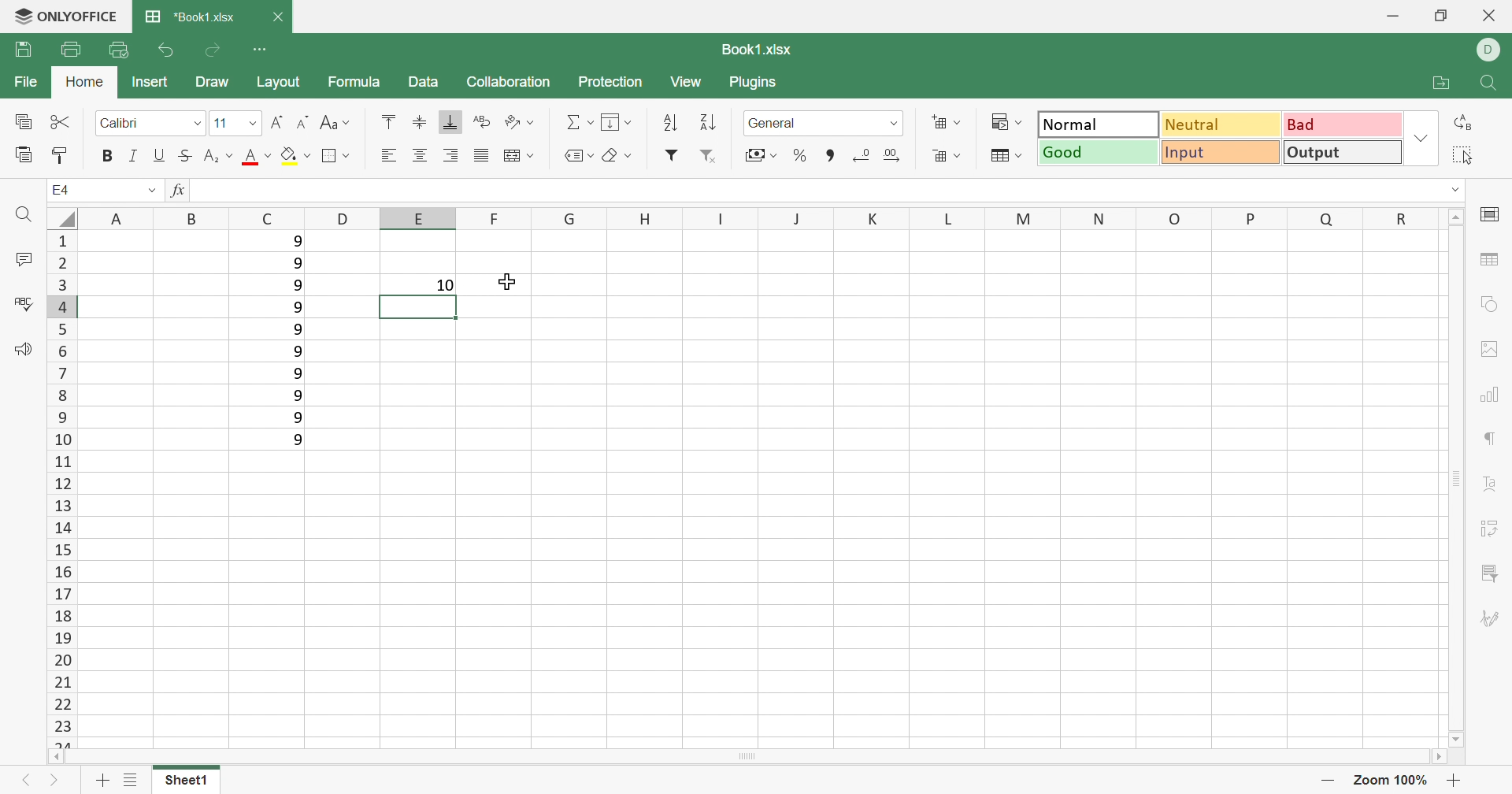  What do you see at coordinates (388, 155) in the screenshot?
I see `Align Left` at bounding box center [388, 155].